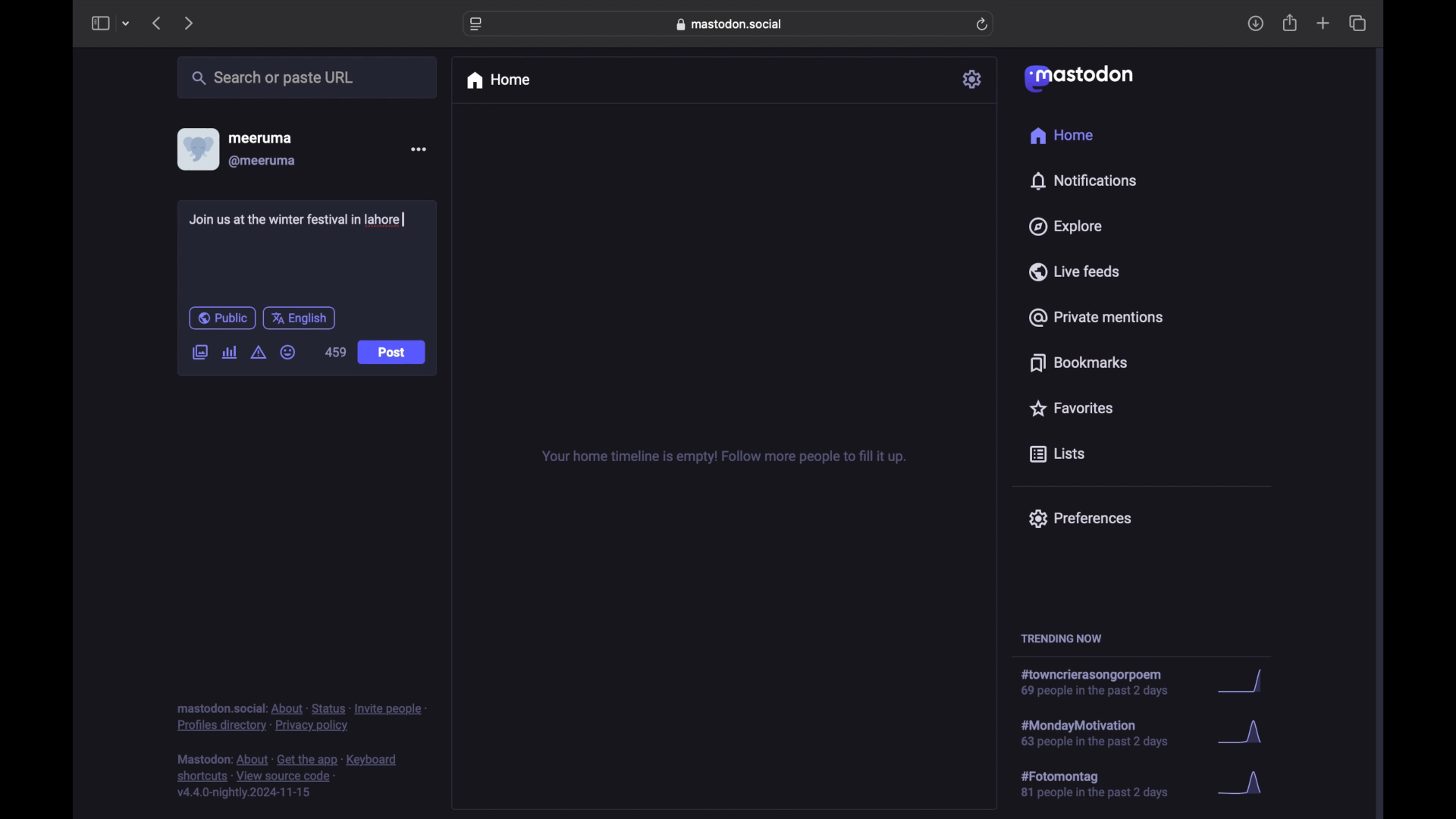 The width and height of the screenshot is (1456, 819). What do you see at coordinates (984, 25) in the screenshot?
I see `refresh` at bounding box center [984, 25].